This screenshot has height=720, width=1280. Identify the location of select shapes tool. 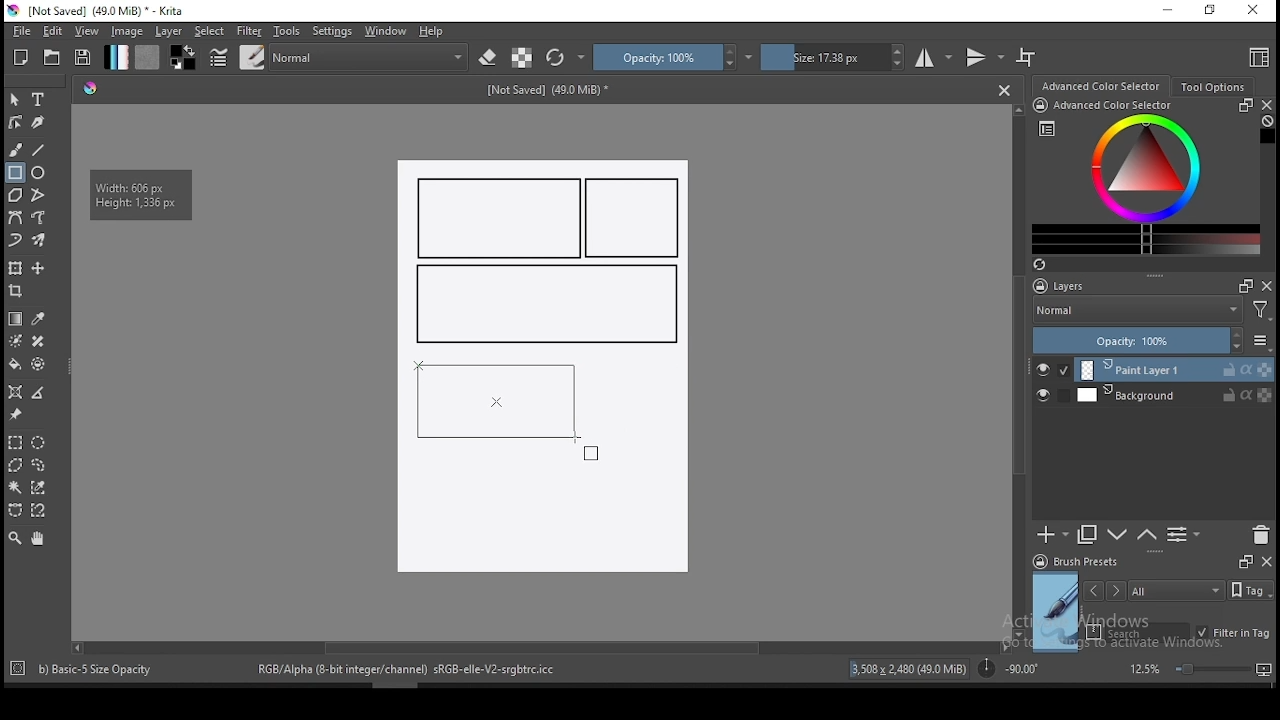
(15, 99).